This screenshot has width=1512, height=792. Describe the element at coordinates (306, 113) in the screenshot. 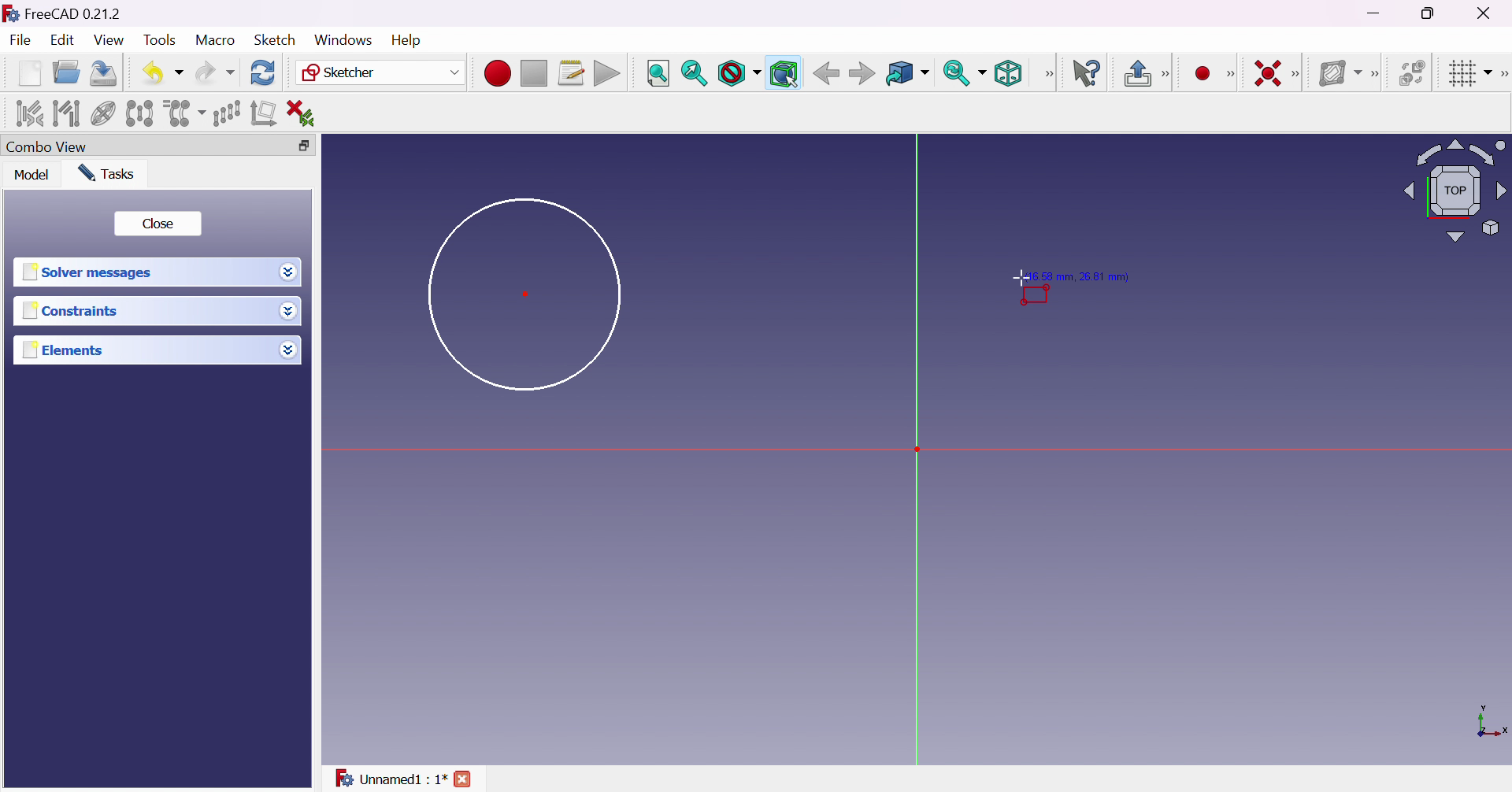

I see `Delete all constraints` at that location.